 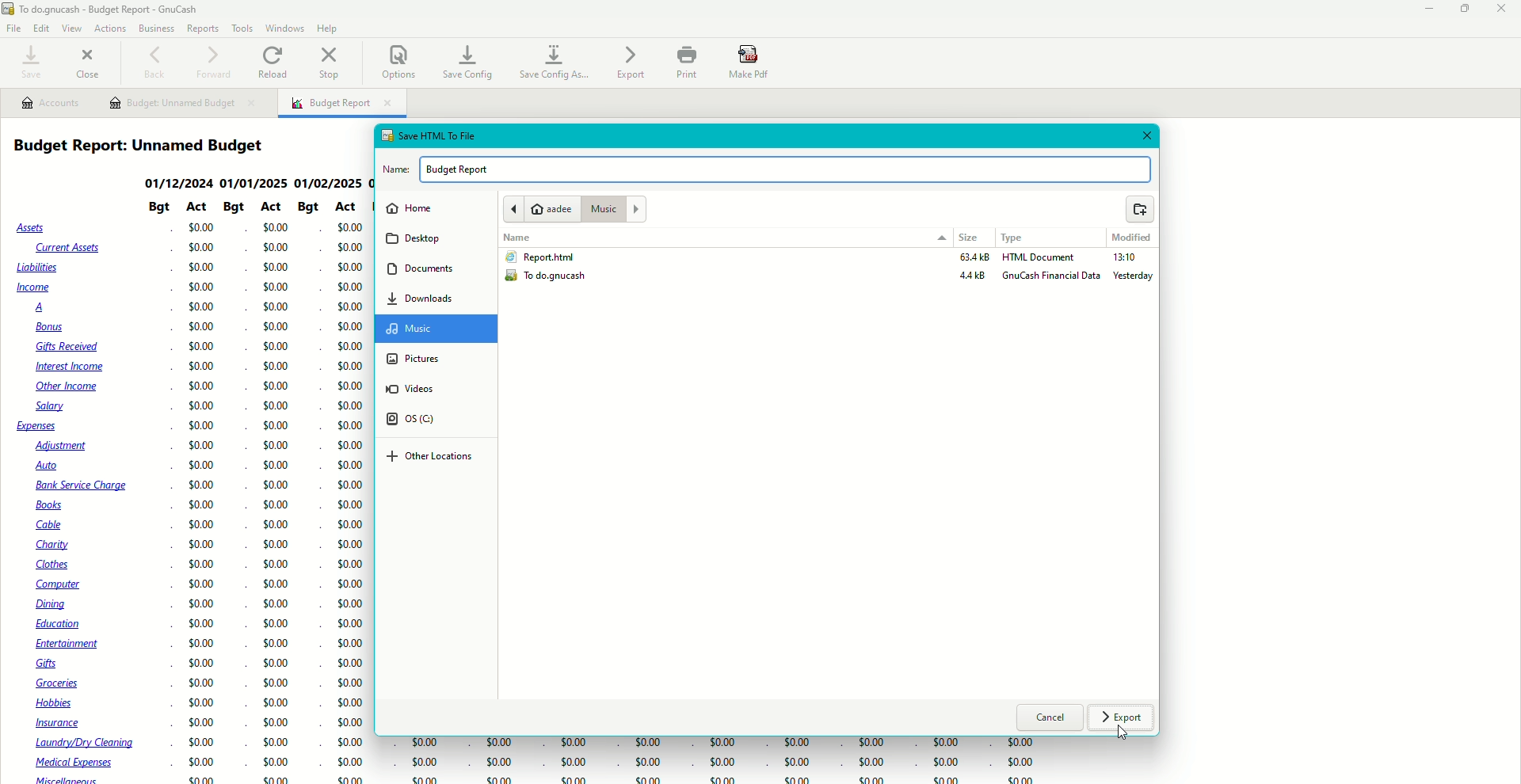 What do you see at coordinates (332, 64) in the screenshot?
I see `Stop` at bounding box center [332, 64].